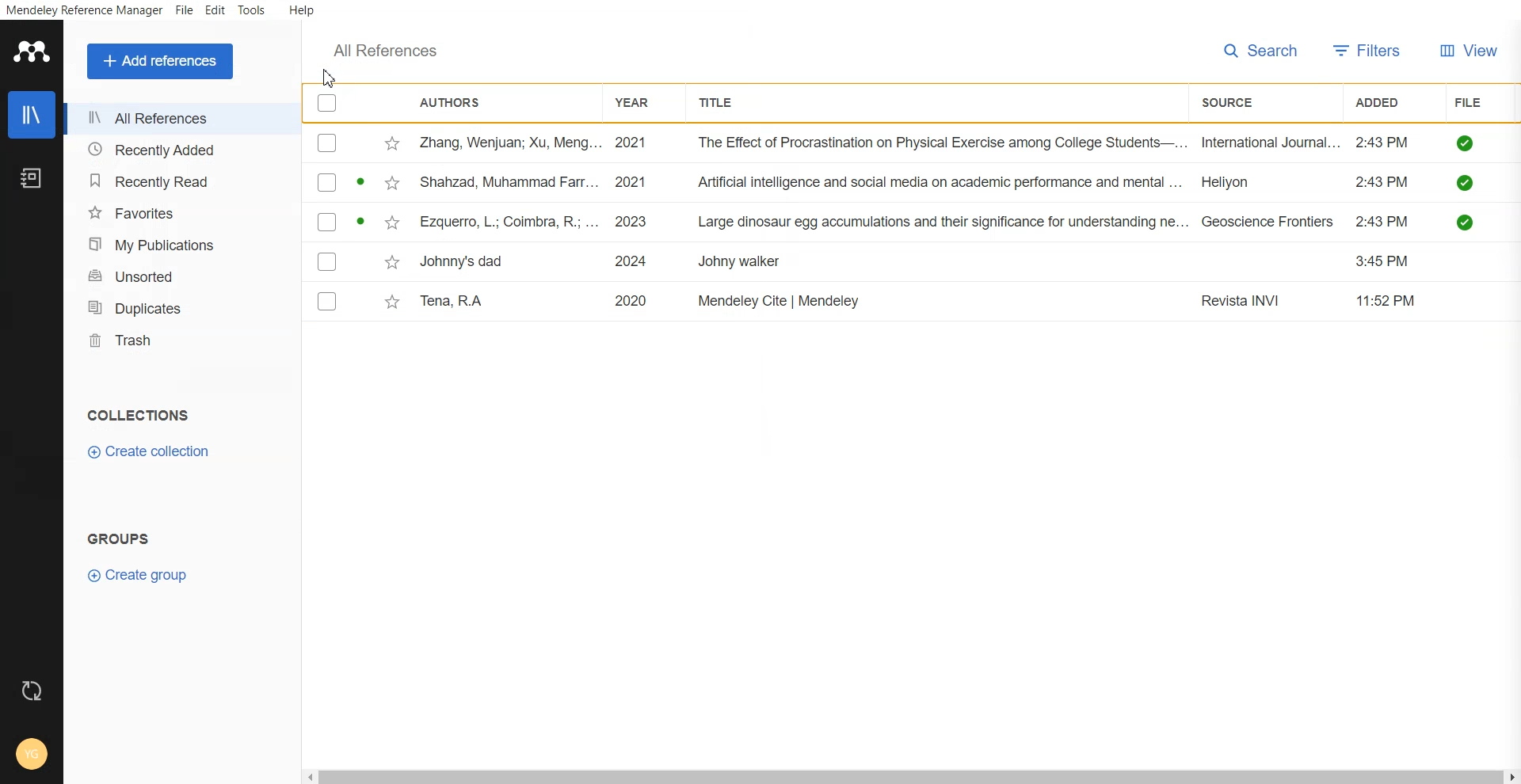  Describe the element at coordinates (175, 182) in the screenshot. I see `Recently Read` at that location.